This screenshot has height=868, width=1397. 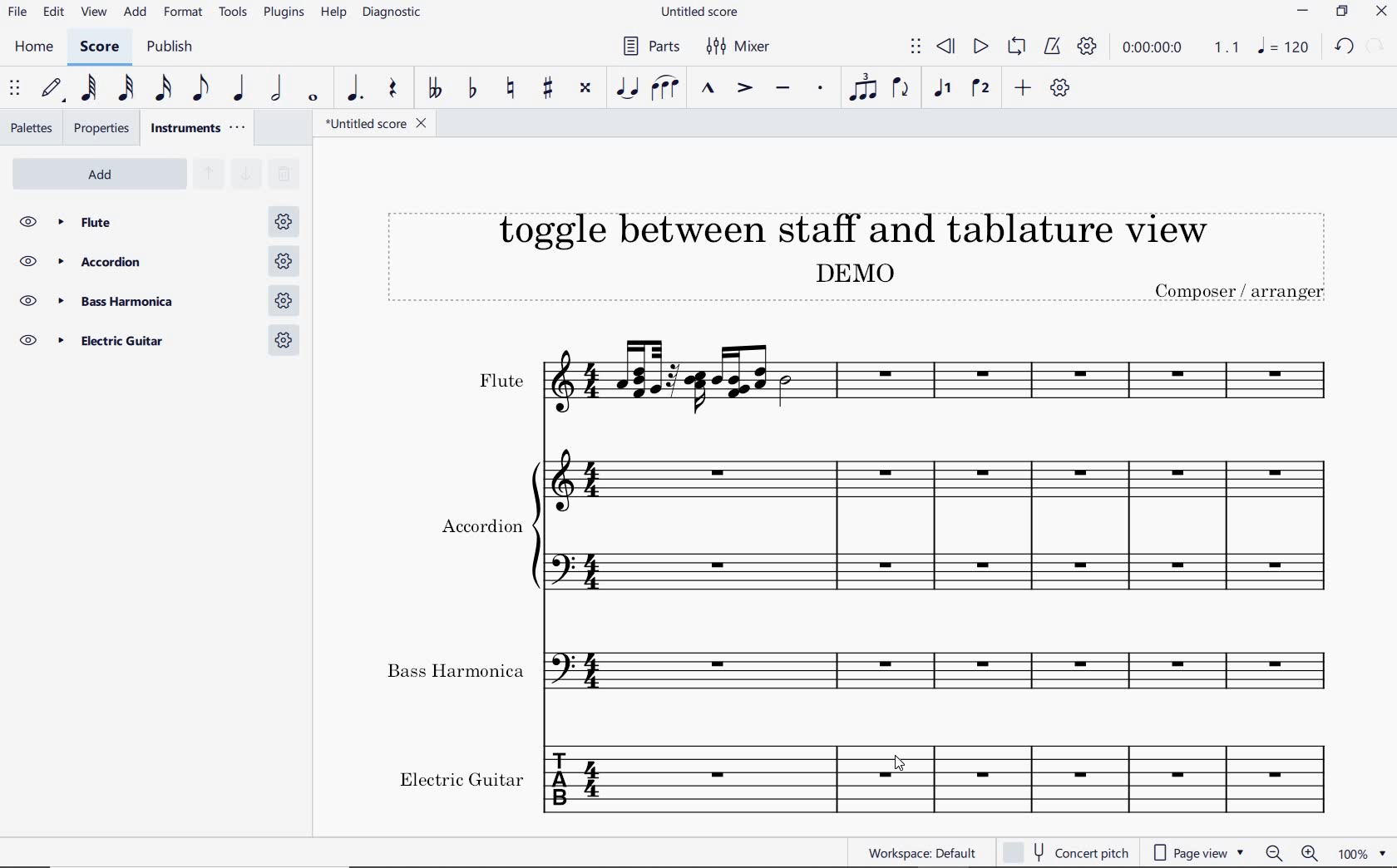 What do you see at coordinates (1156, 50) in the screenshot?
I see `playback time` at bounding box center [1156, 50].